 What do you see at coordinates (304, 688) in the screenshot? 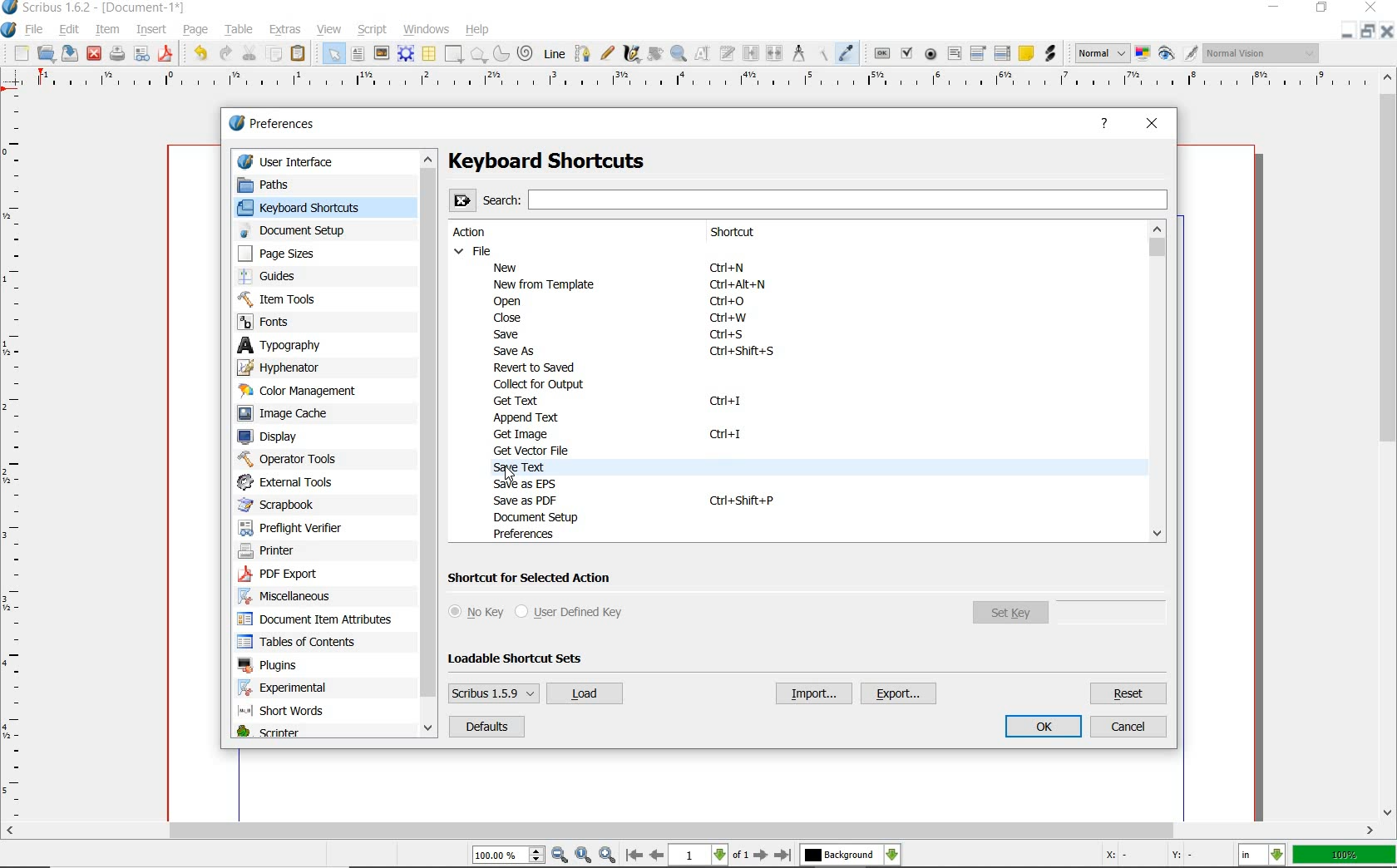
I see `experimental` at bounding box center [304, 688].